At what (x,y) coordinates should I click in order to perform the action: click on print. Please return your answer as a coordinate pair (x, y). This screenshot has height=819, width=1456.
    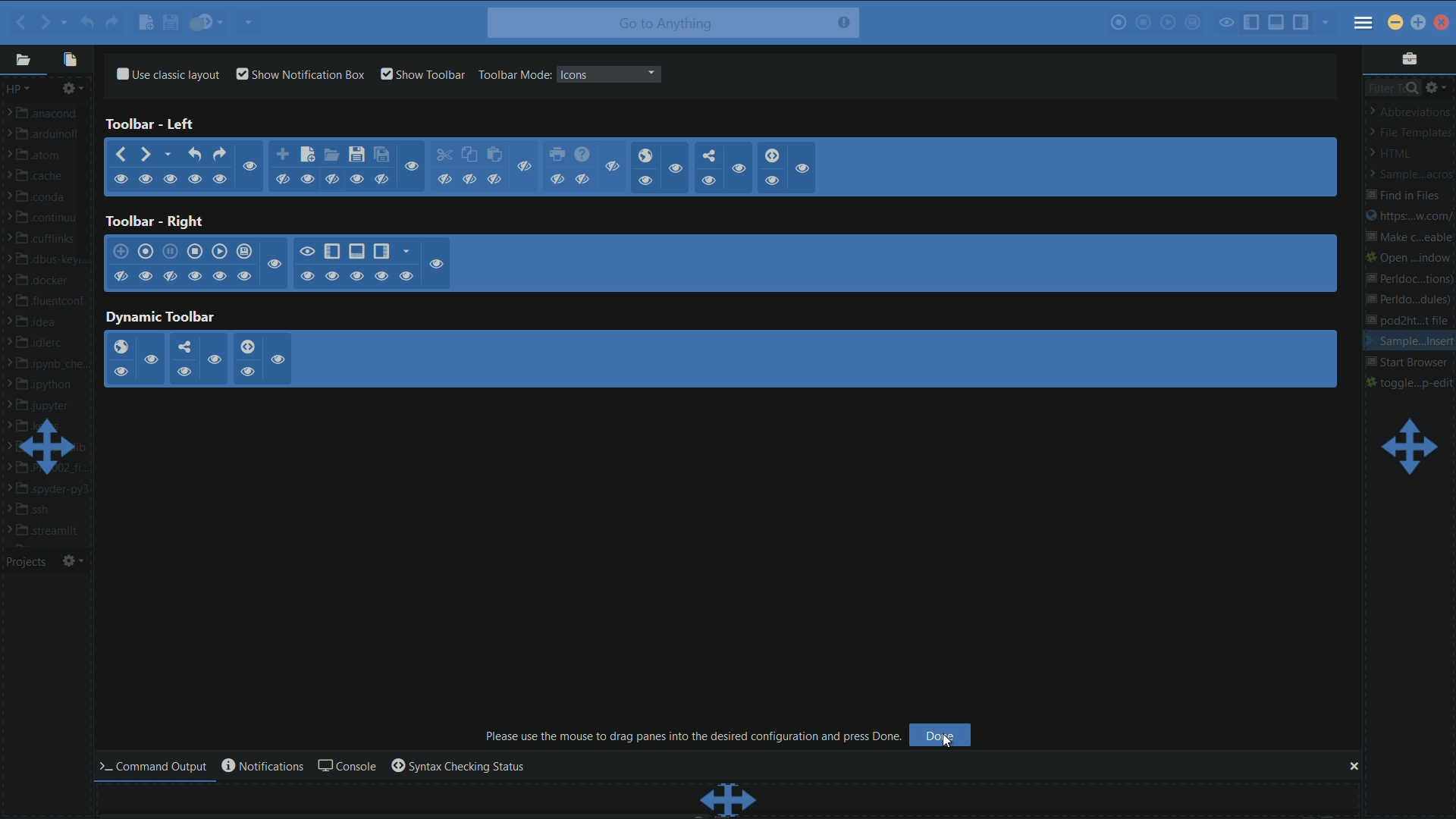
    Looking at the image, I should click on (559, 155).